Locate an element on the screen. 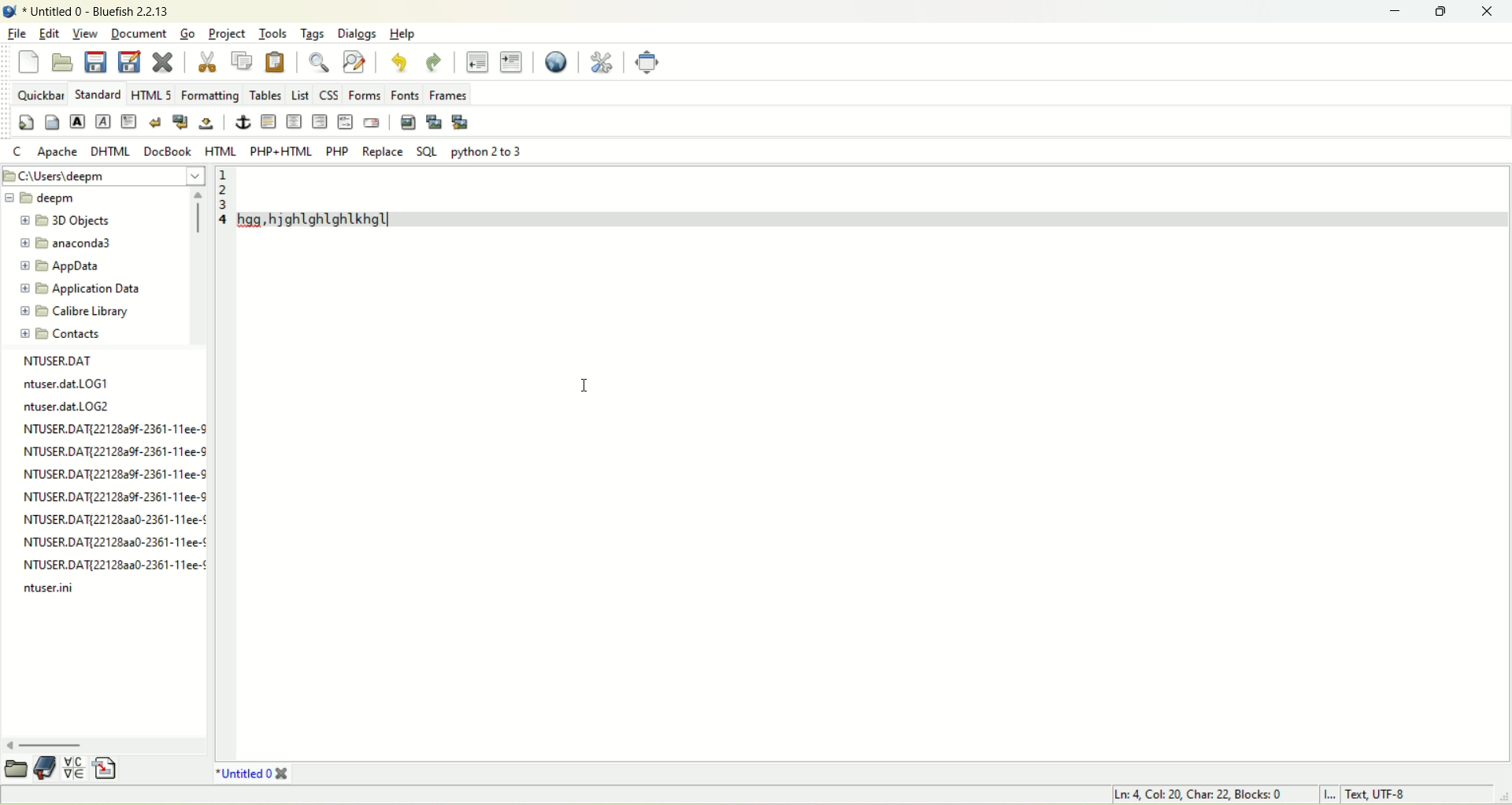 This screenshot has width=1512, height=805. NTUSER.DATI22128a9f-2361-11ee-G is located at coordinates (115, 472).